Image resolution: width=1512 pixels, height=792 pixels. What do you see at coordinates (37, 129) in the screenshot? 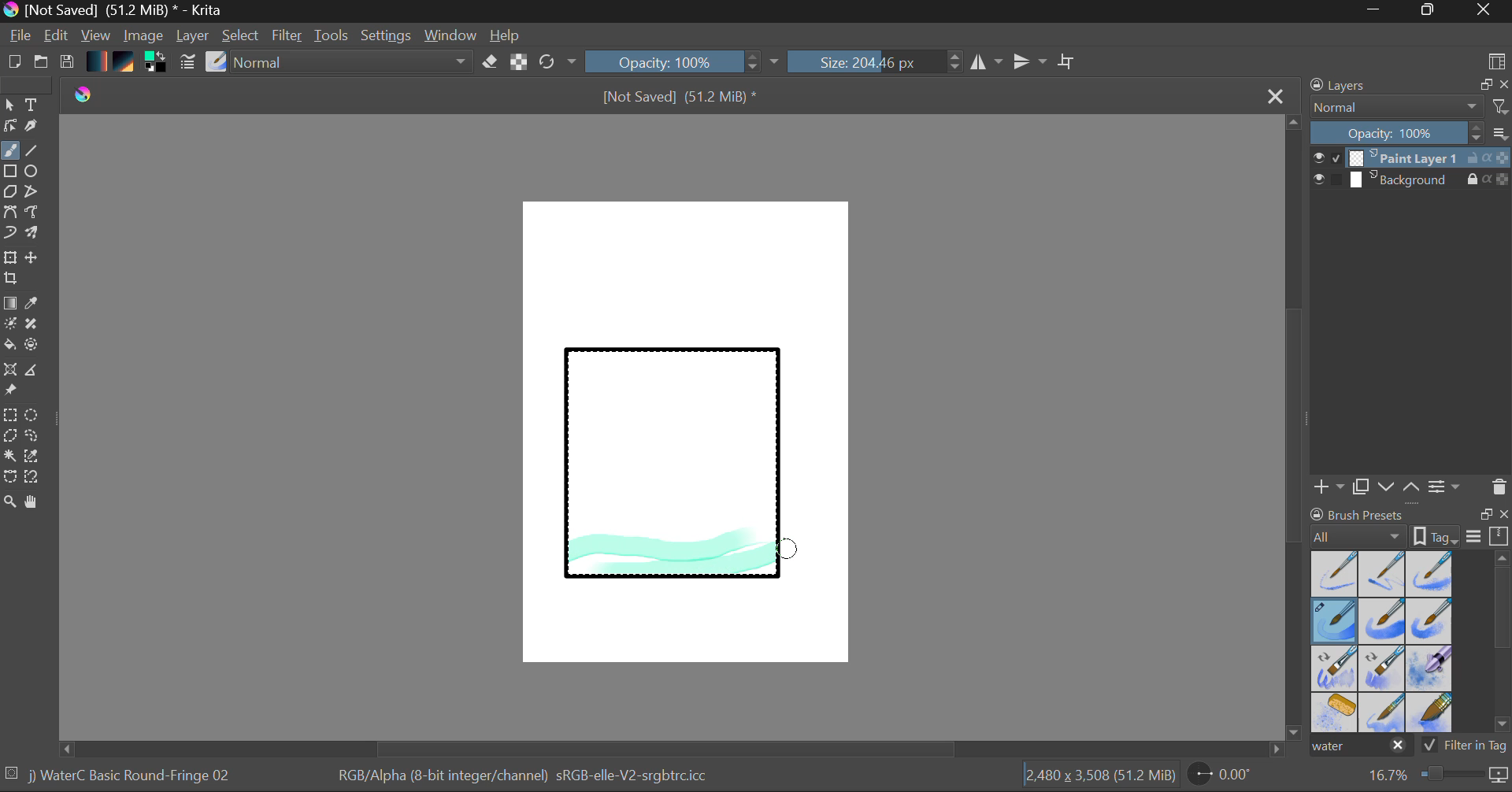
I see `Calligraphic Tool` at bounding box center [37, 129].